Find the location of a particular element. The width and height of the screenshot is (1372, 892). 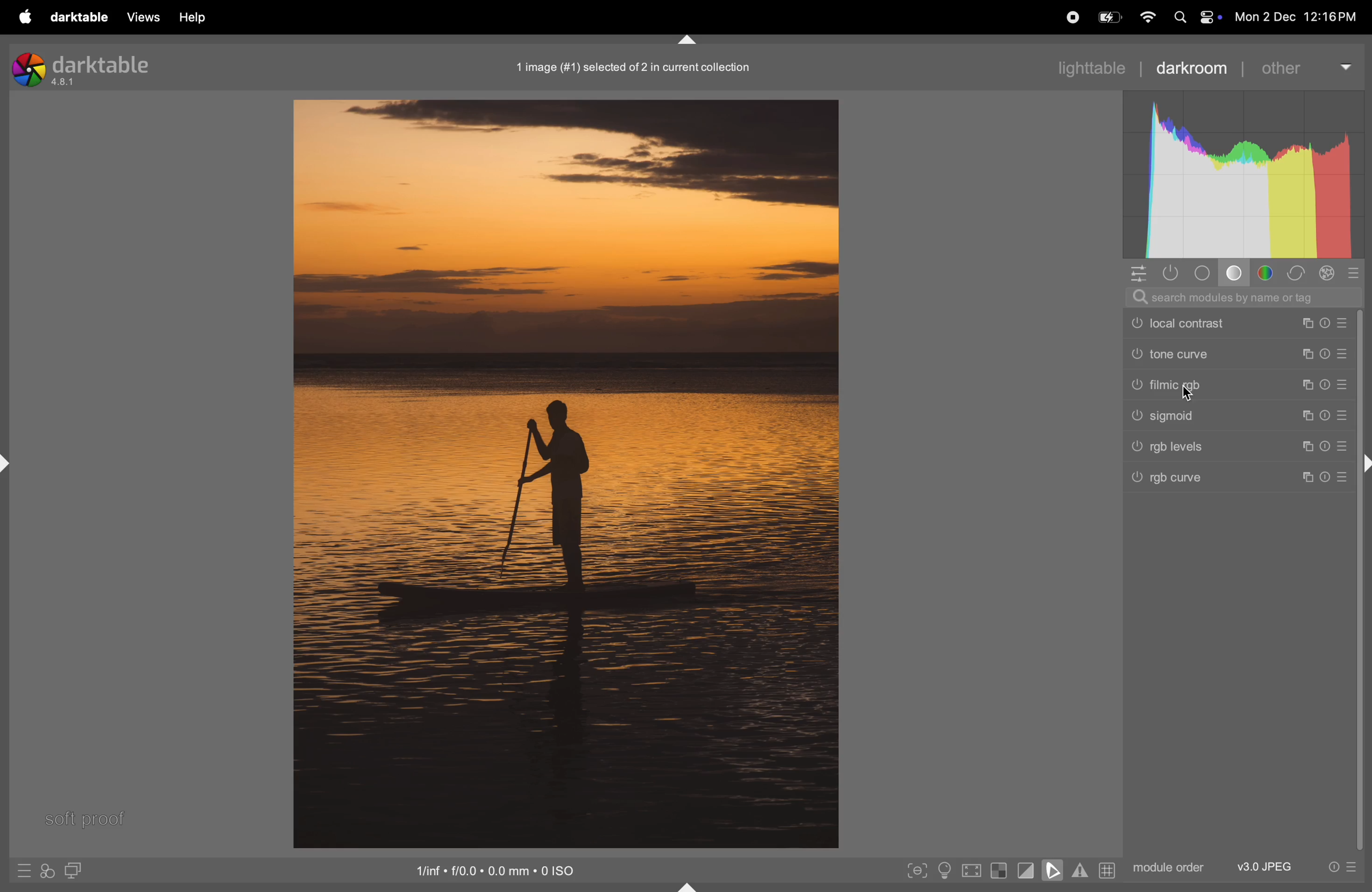

other is located at coordinates (1304, 66).